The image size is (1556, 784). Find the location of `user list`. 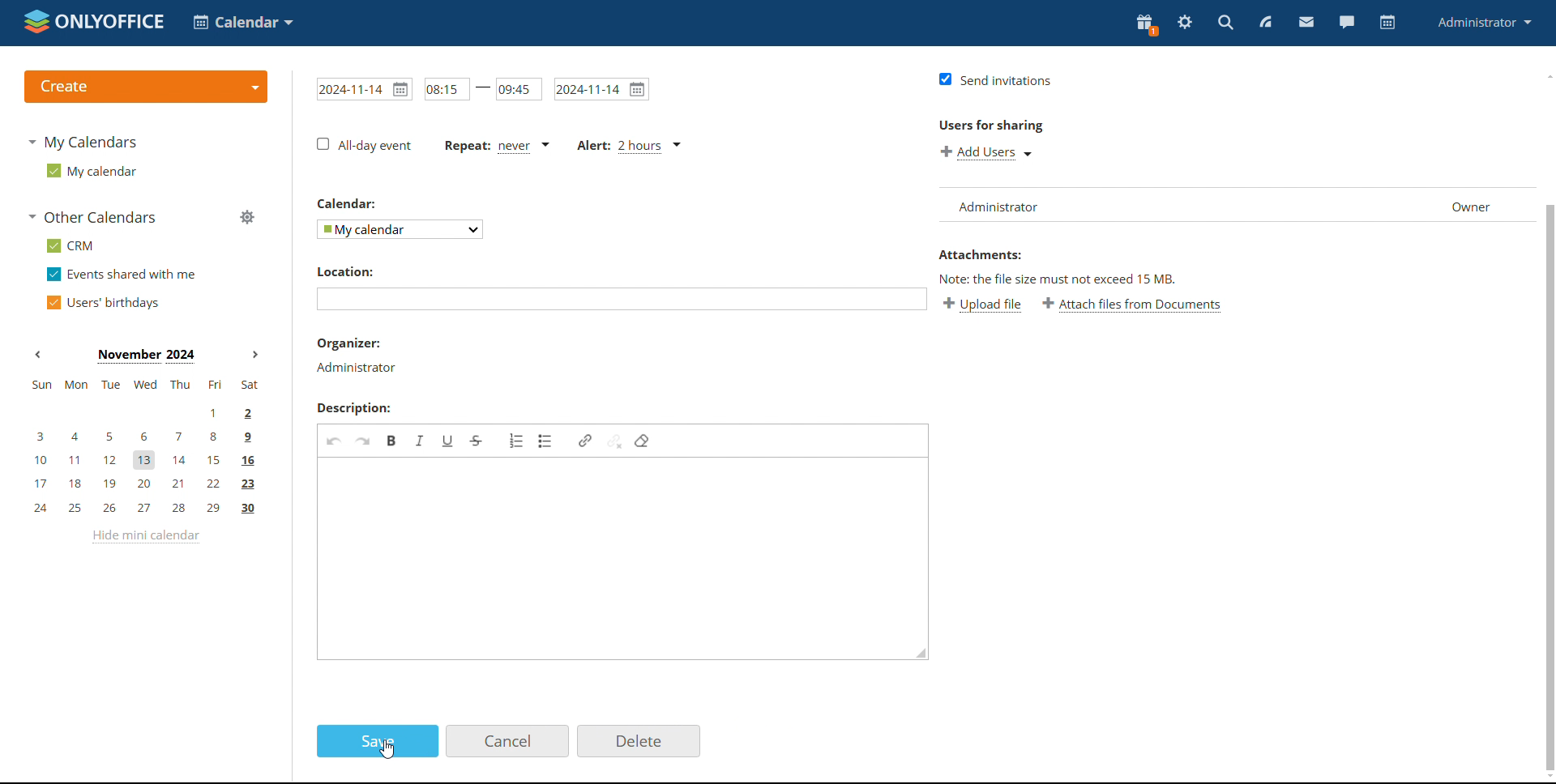

user list is located at coordinates (1238, 205).